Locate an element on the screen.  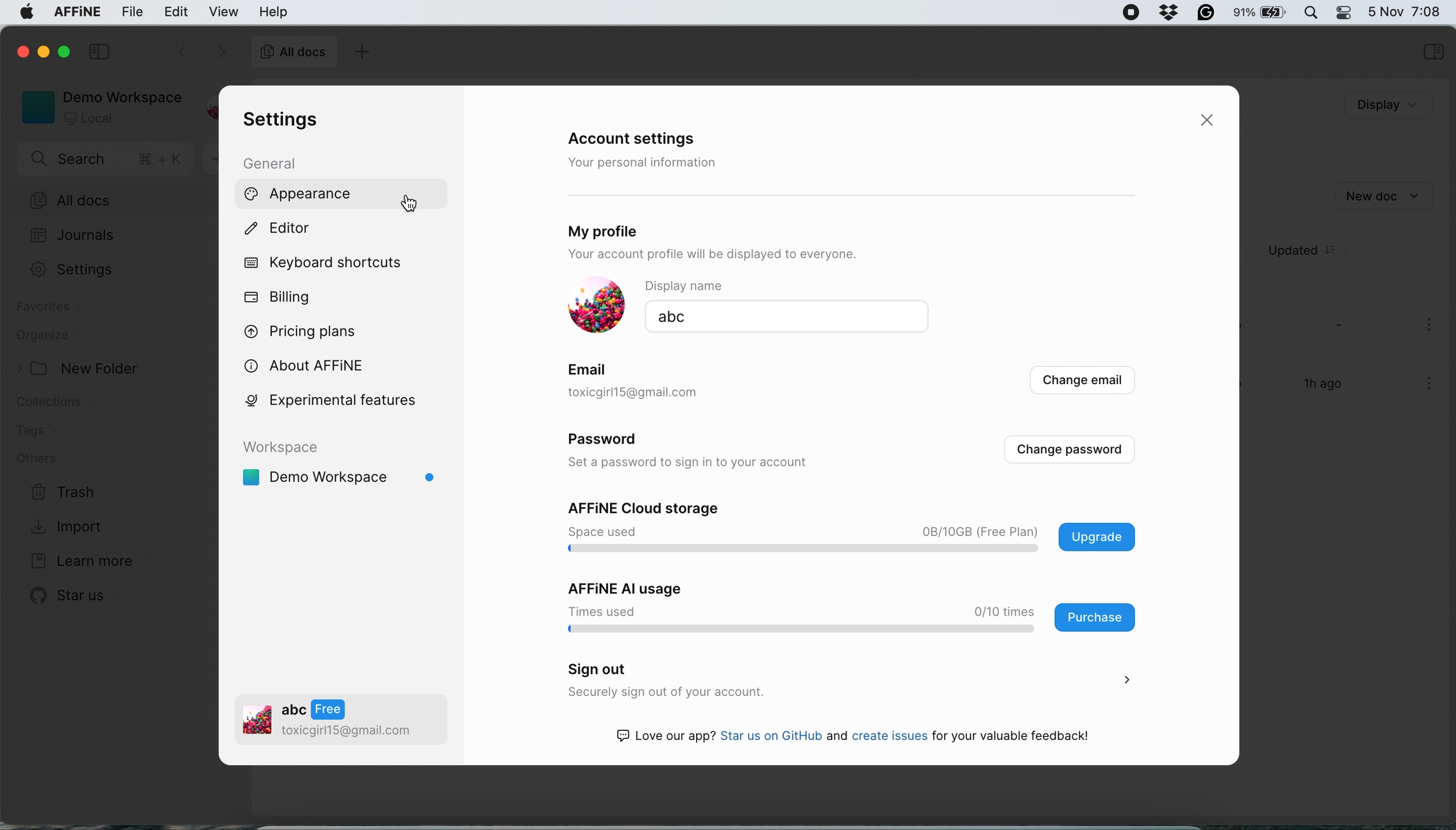
star us is located at coordinates (66, 599).